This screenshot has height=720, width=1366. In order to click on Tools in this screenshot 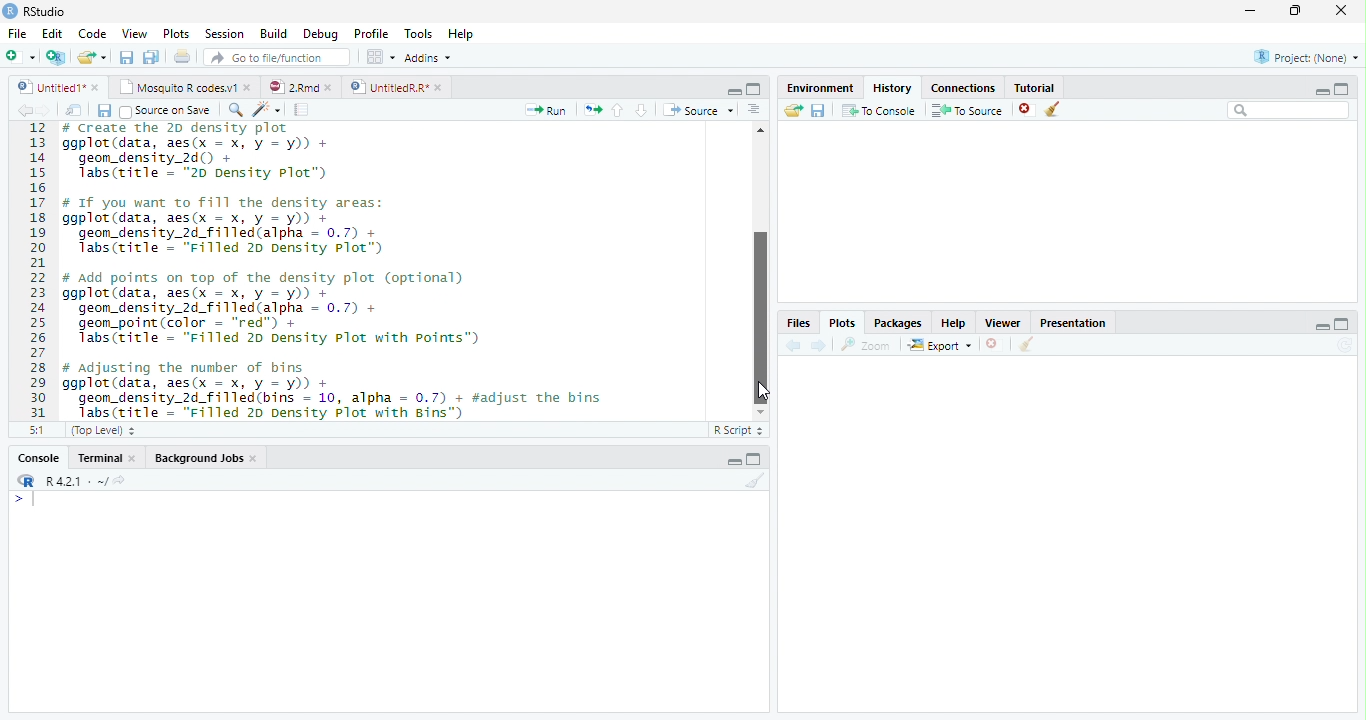, I will do `click(419, 34)`.